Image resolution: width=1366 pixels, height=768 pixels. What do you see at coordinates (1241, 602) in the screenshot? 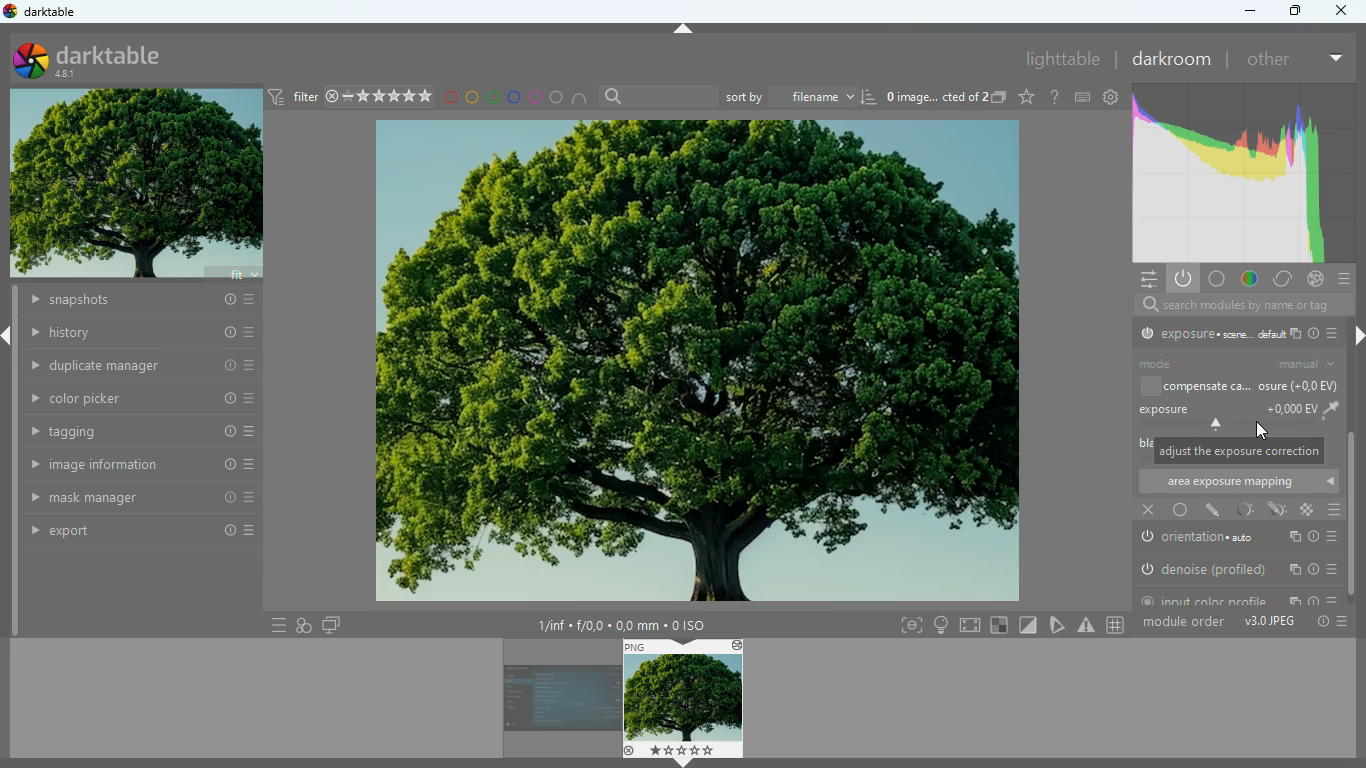
I see `input color profile` at bounding box center [1241, 602].